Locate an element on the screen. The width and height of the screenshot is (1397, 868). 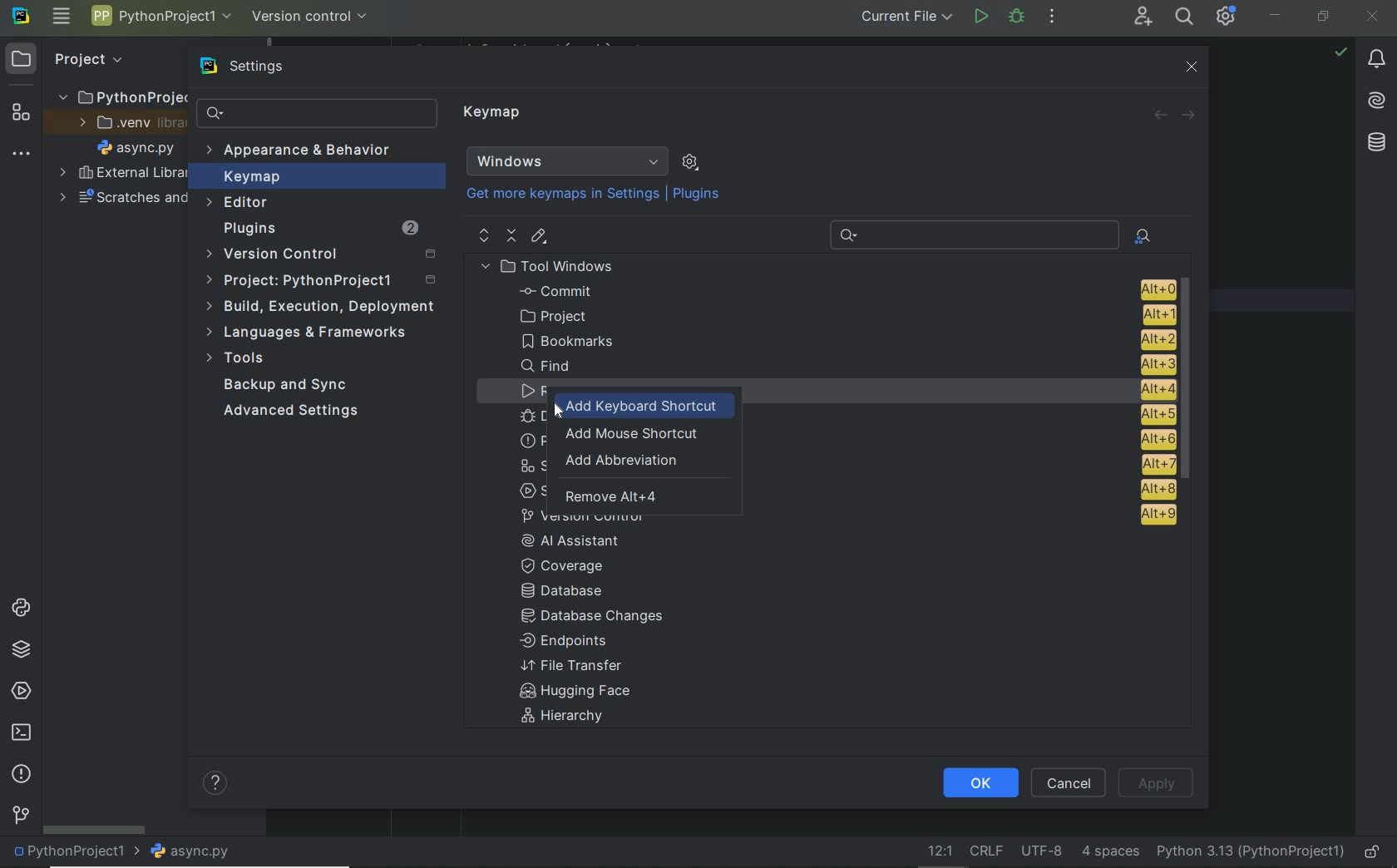
Cursor Position is located at coordinates (557, 411).